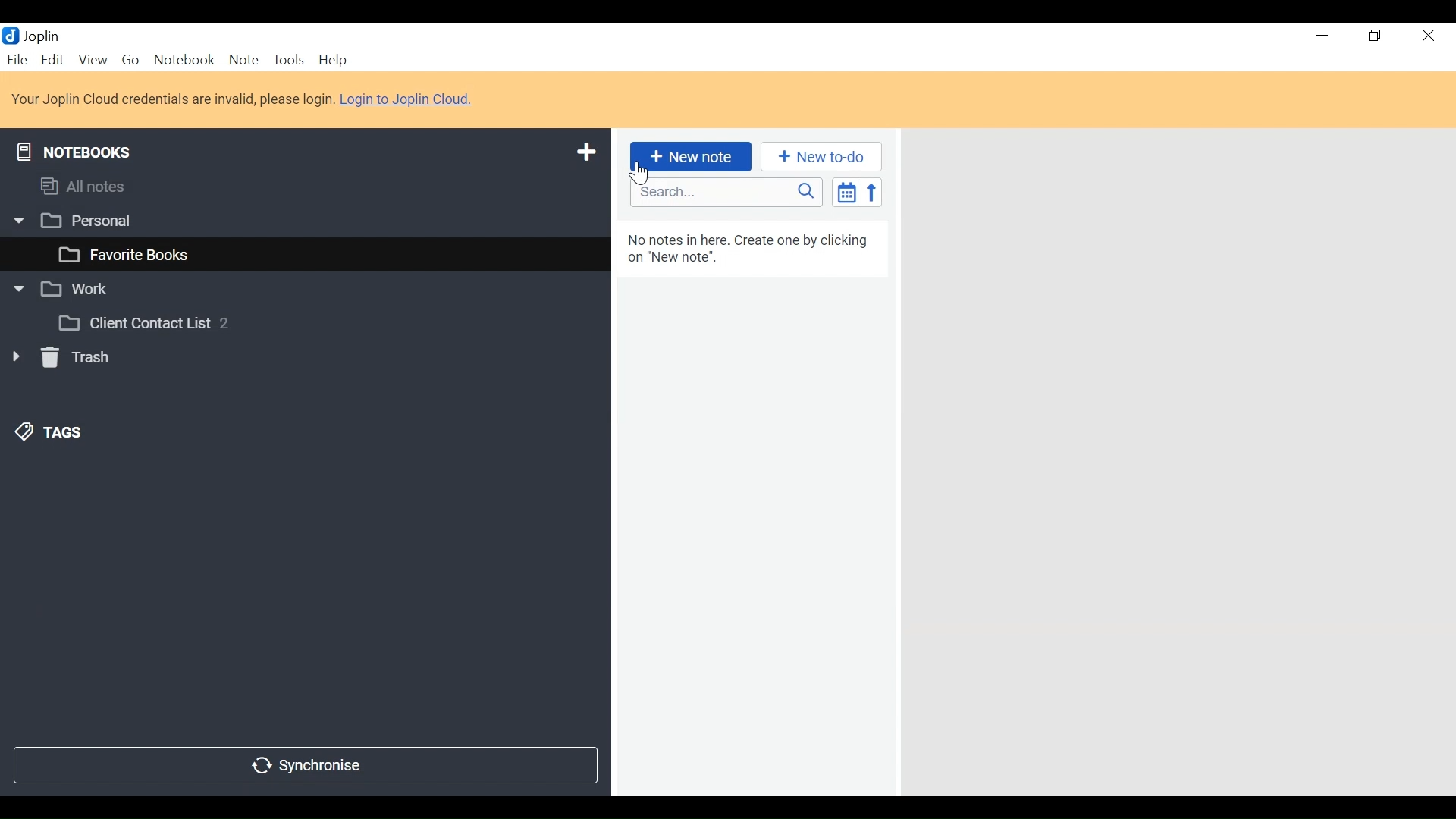 Image resolution: width=1456 pixels, height=819 pixels. What do you see at coordinates (52, 431) in the screenshot?
I see `Tags` at bounding box center [52, 431].